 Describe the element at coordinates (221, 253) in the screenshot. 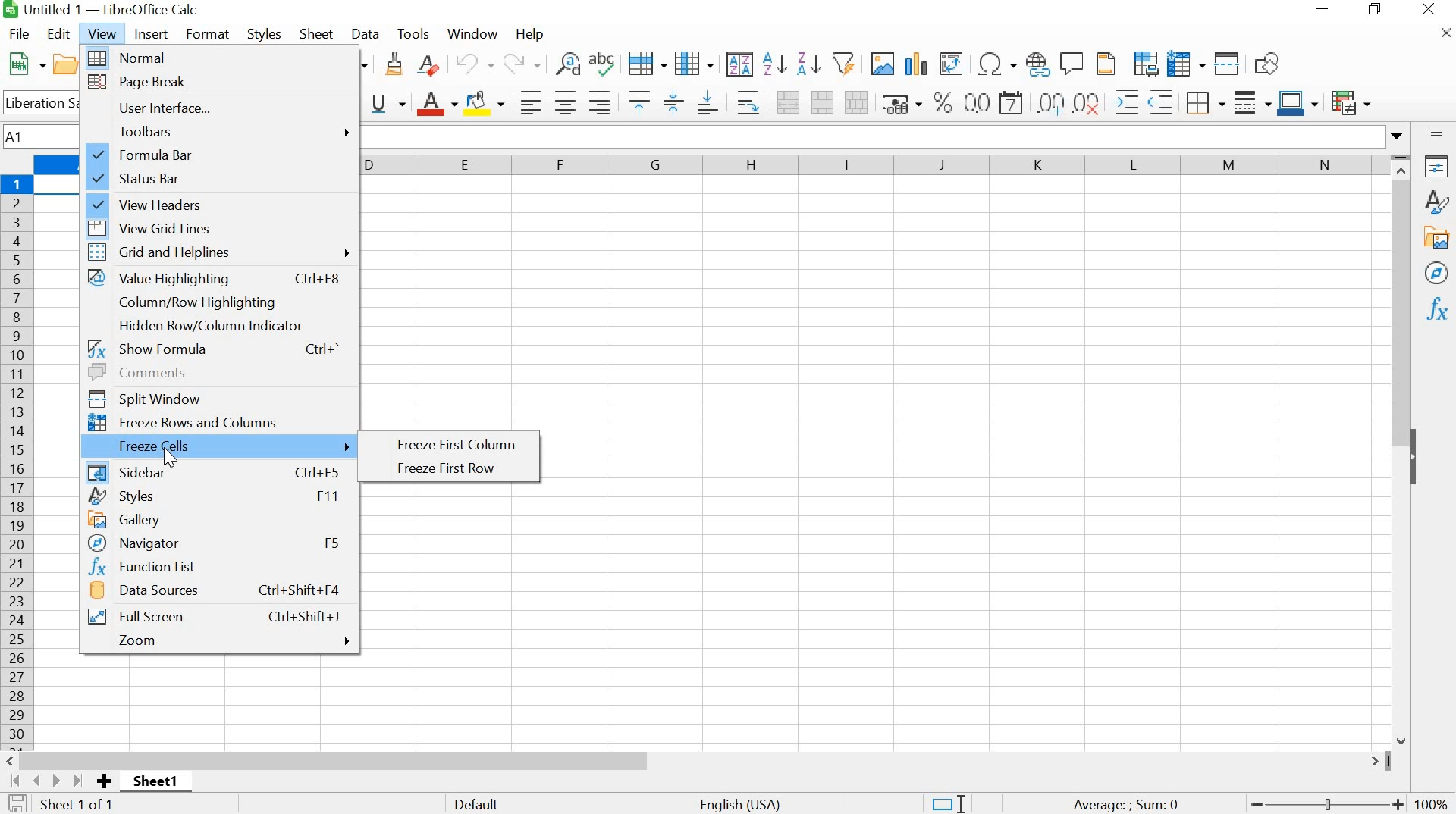

I see `GRID AND HELPLINES` at that location.